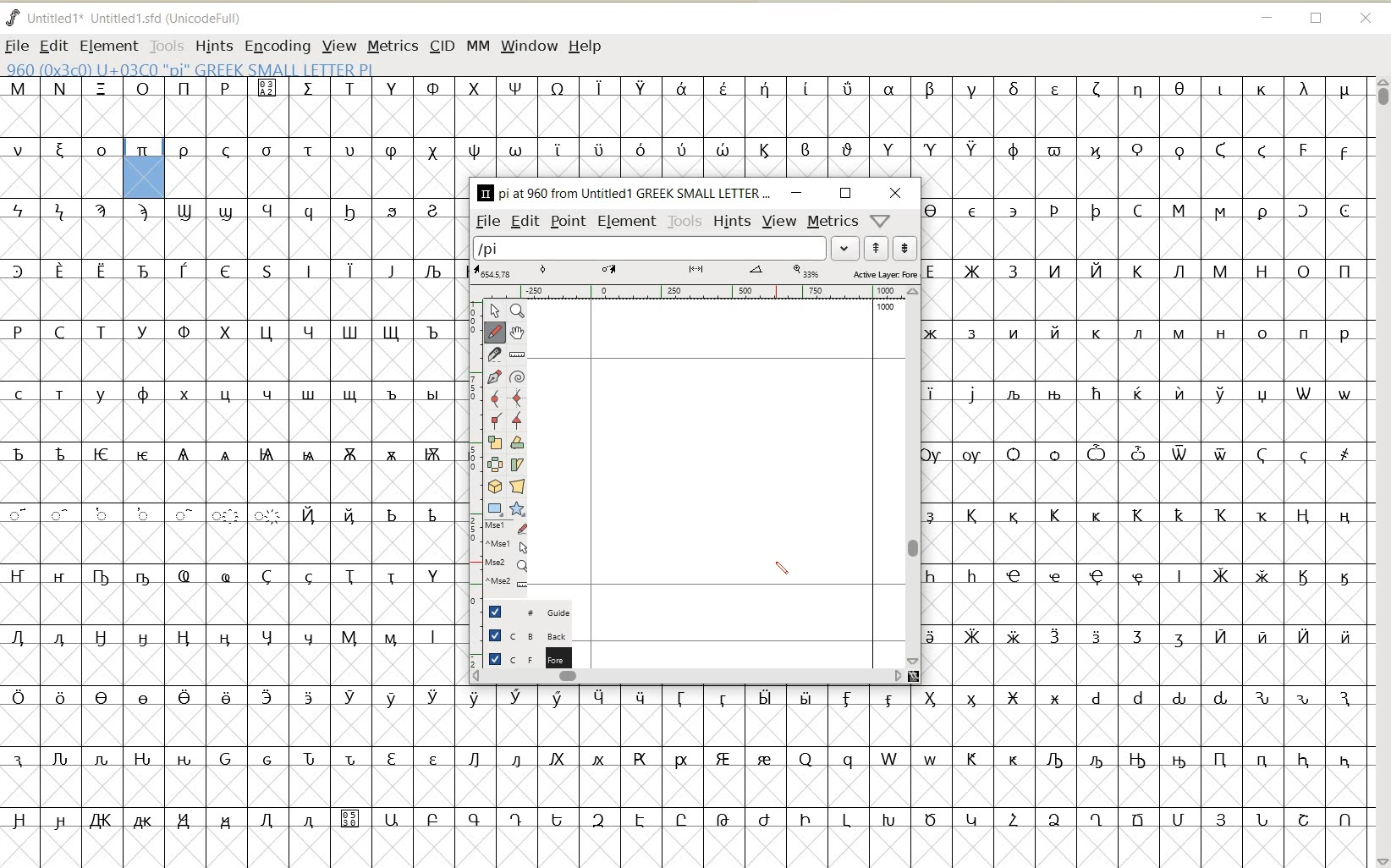  Describe the element at coordinates (683, 222) in the screenshot. I see `TOOLS` at that location.